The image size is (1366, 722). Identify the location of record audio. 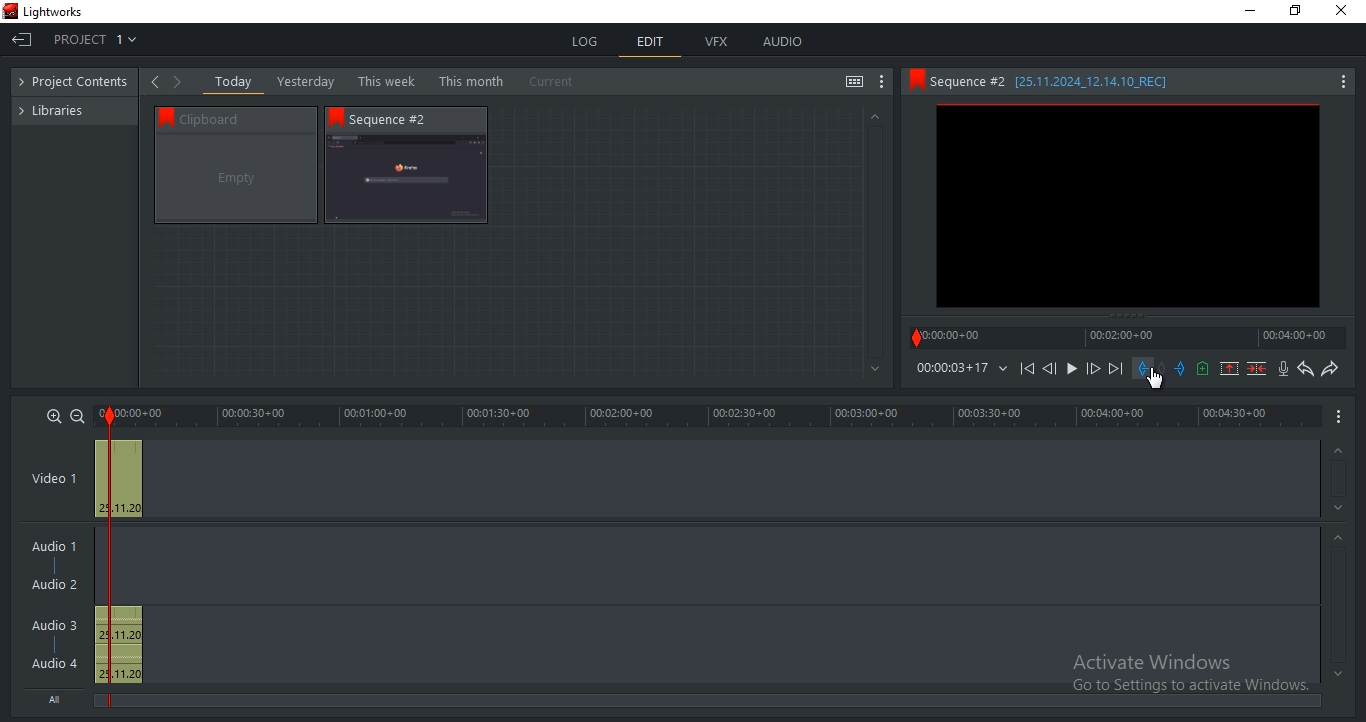
(1285, 369).